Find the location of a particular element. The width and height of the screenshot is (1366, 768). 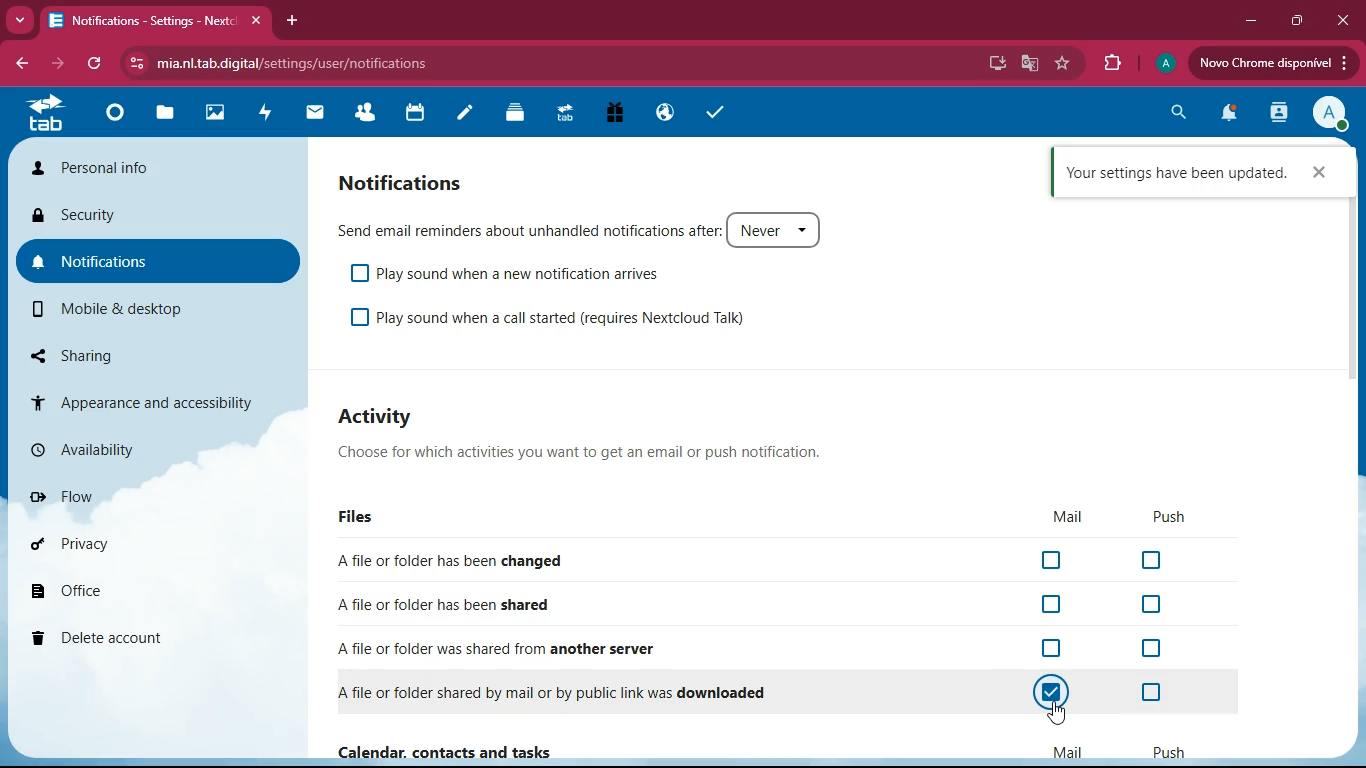

another server is located at coordinates (511, 645).